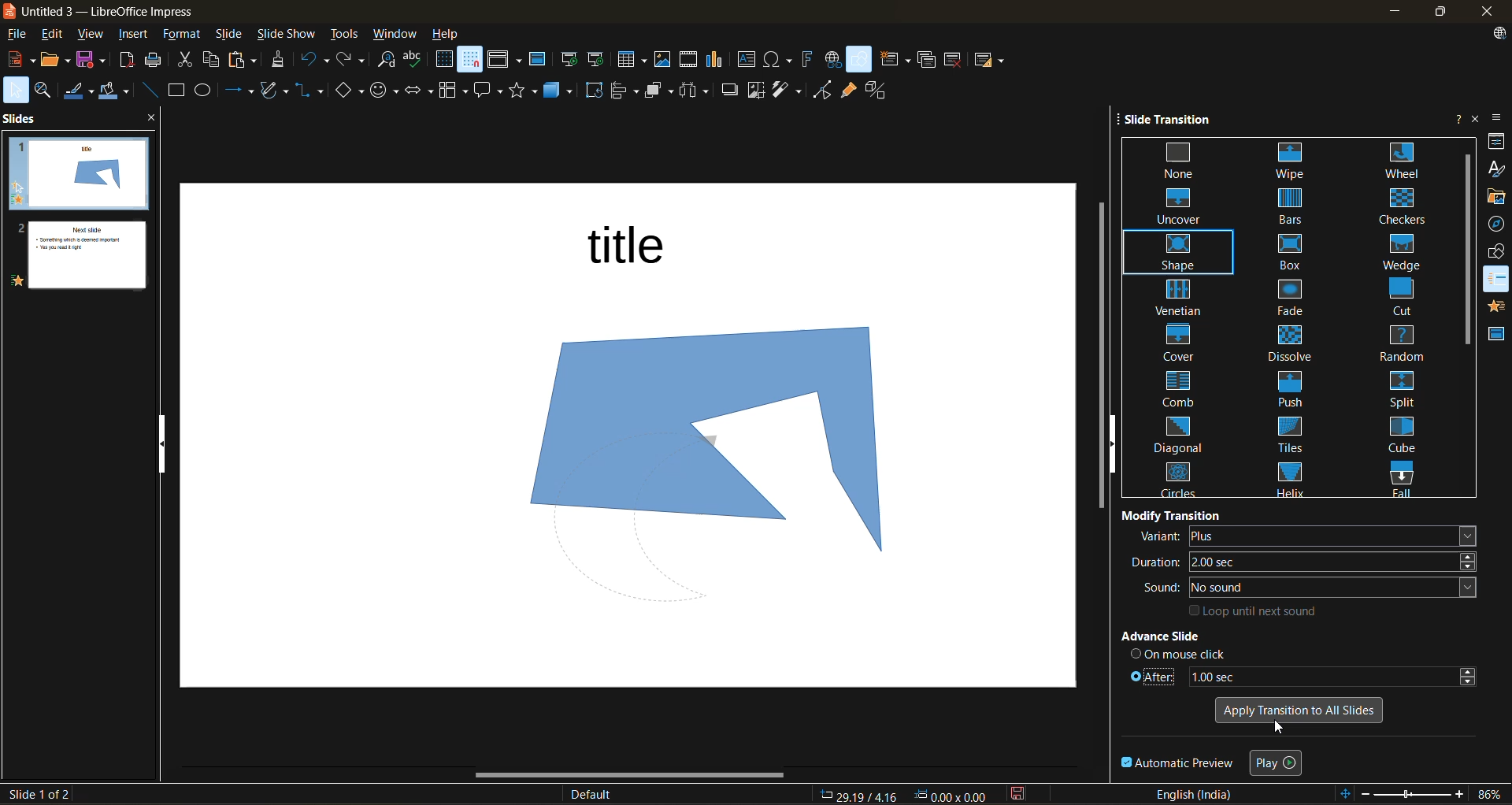 Image resolution: width=1512 pixels, height=805 pixels. Describe the element at coordinates (350, 89) in the screenshot. I see `basic shapes` at that location.